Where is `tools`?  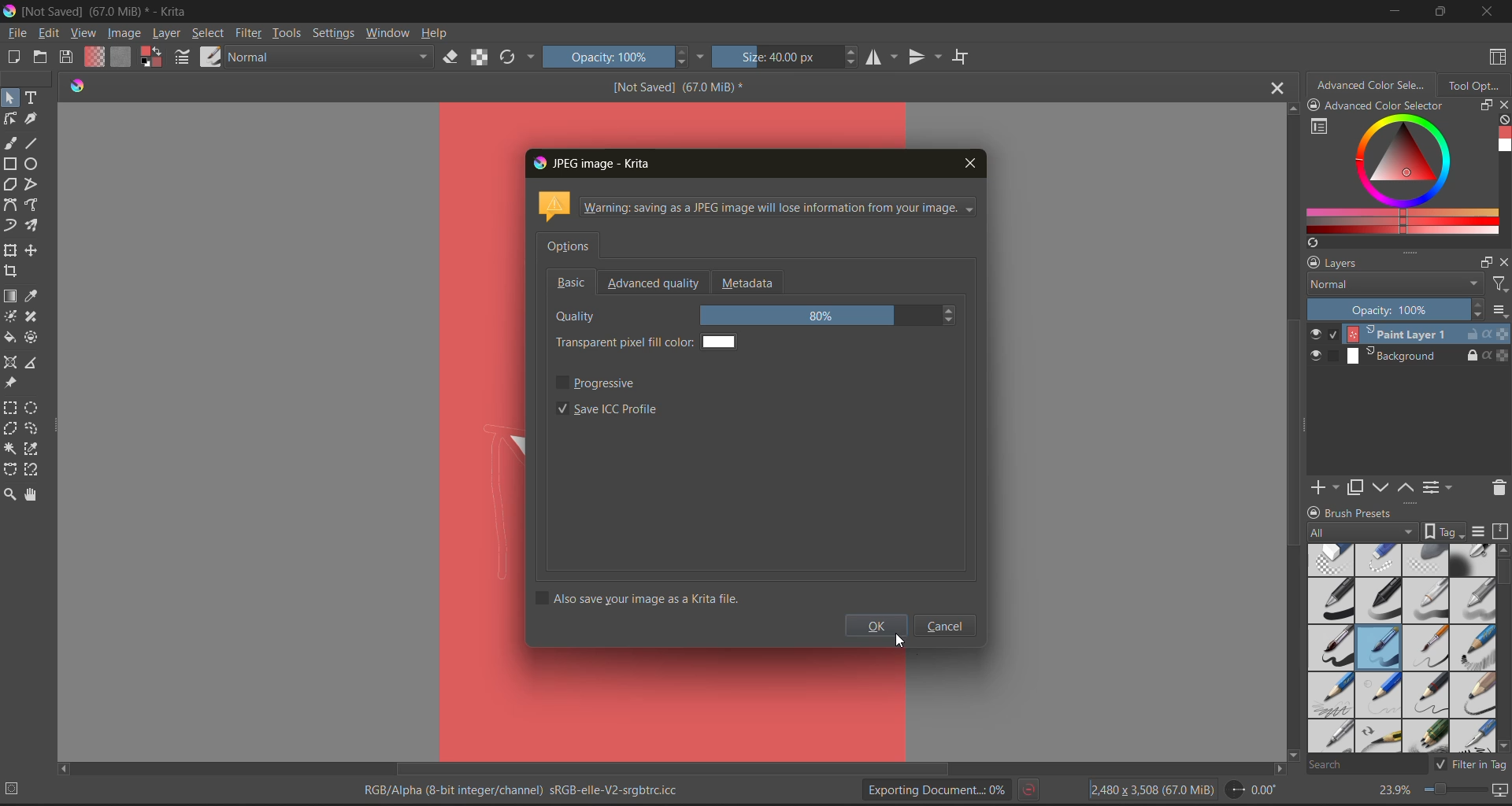 tools is located at coordinates (10, 315).